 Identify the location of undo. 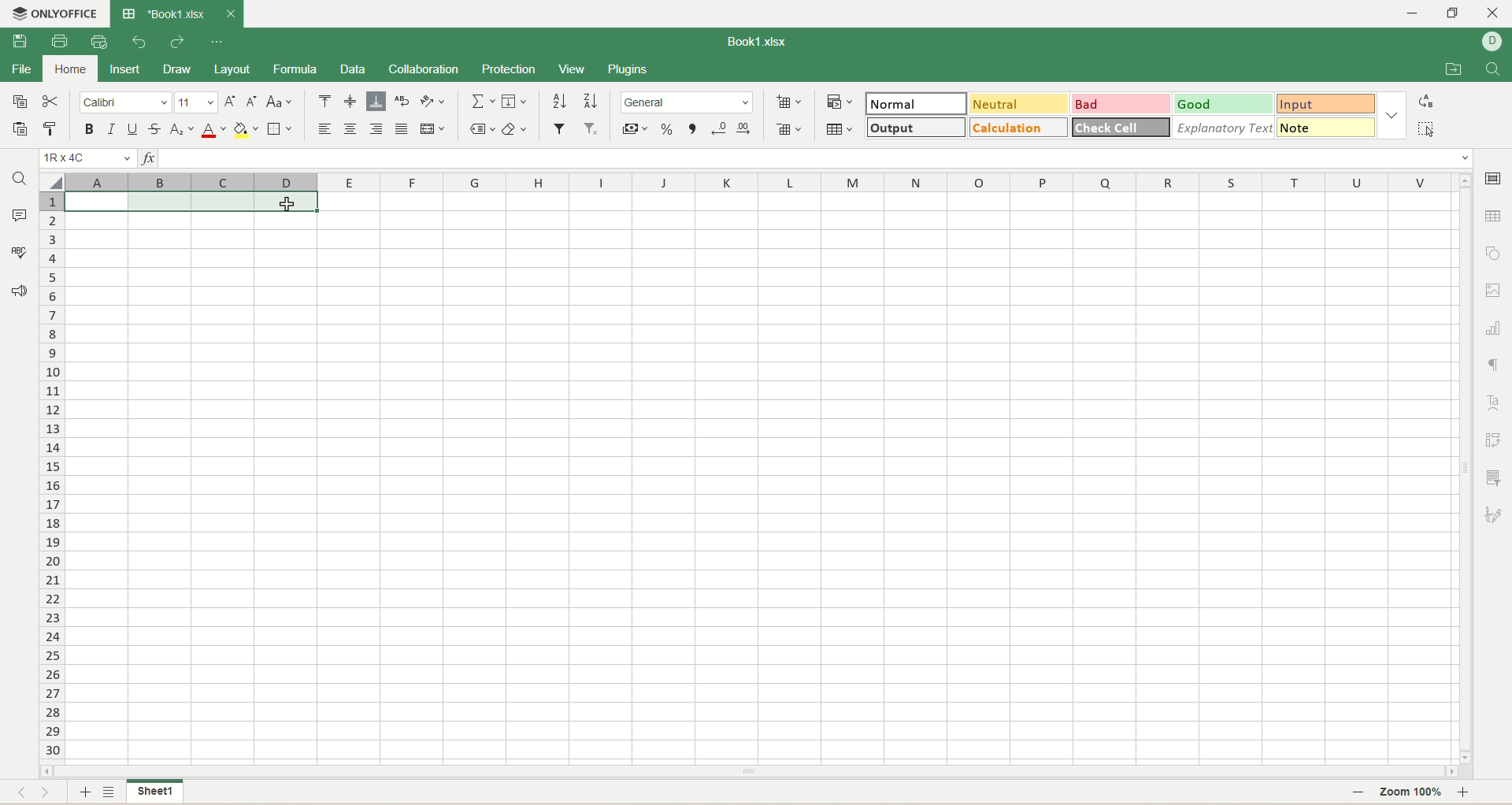
(136, 43).